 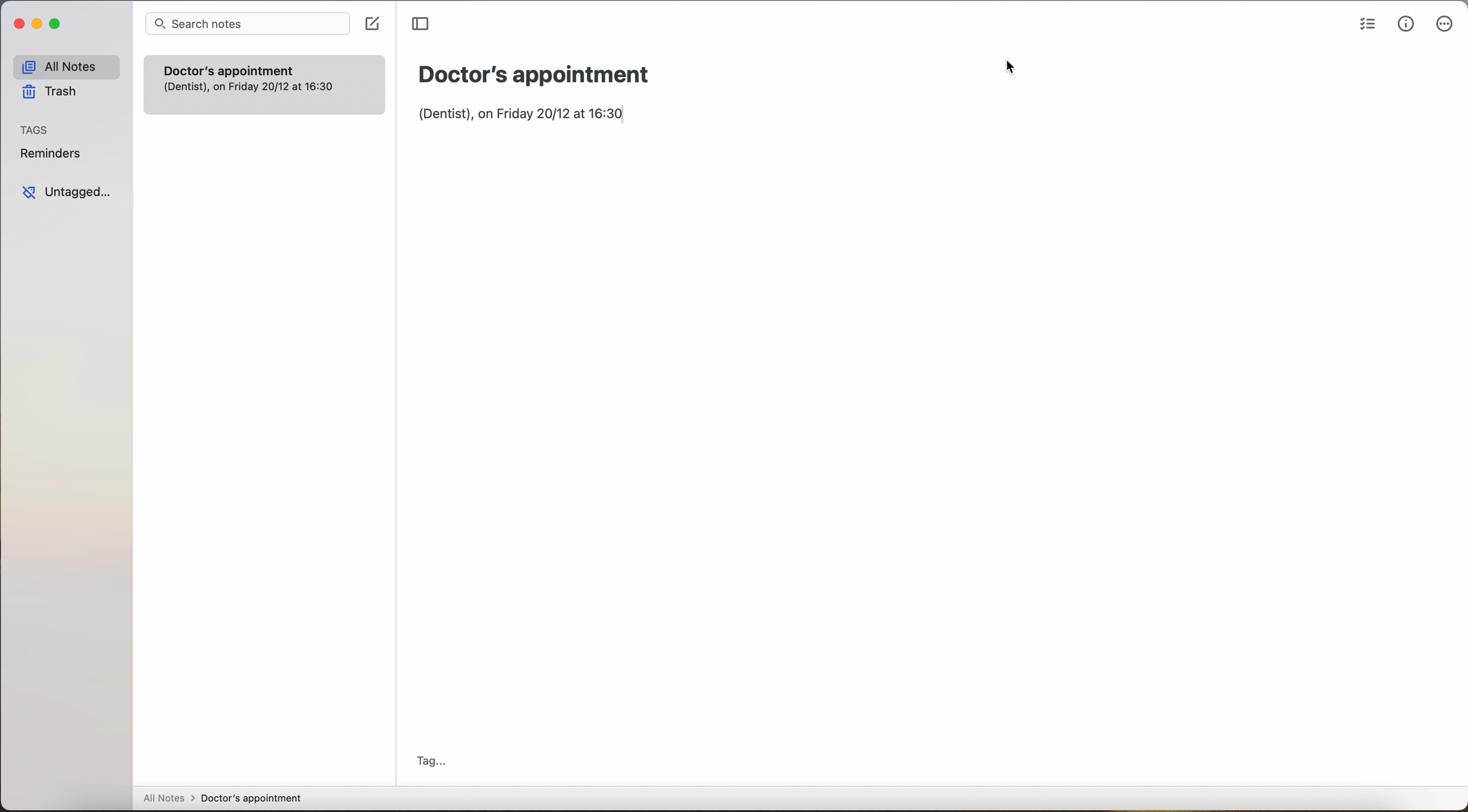 I want to click on All Notes, so click(x=65, y=65).